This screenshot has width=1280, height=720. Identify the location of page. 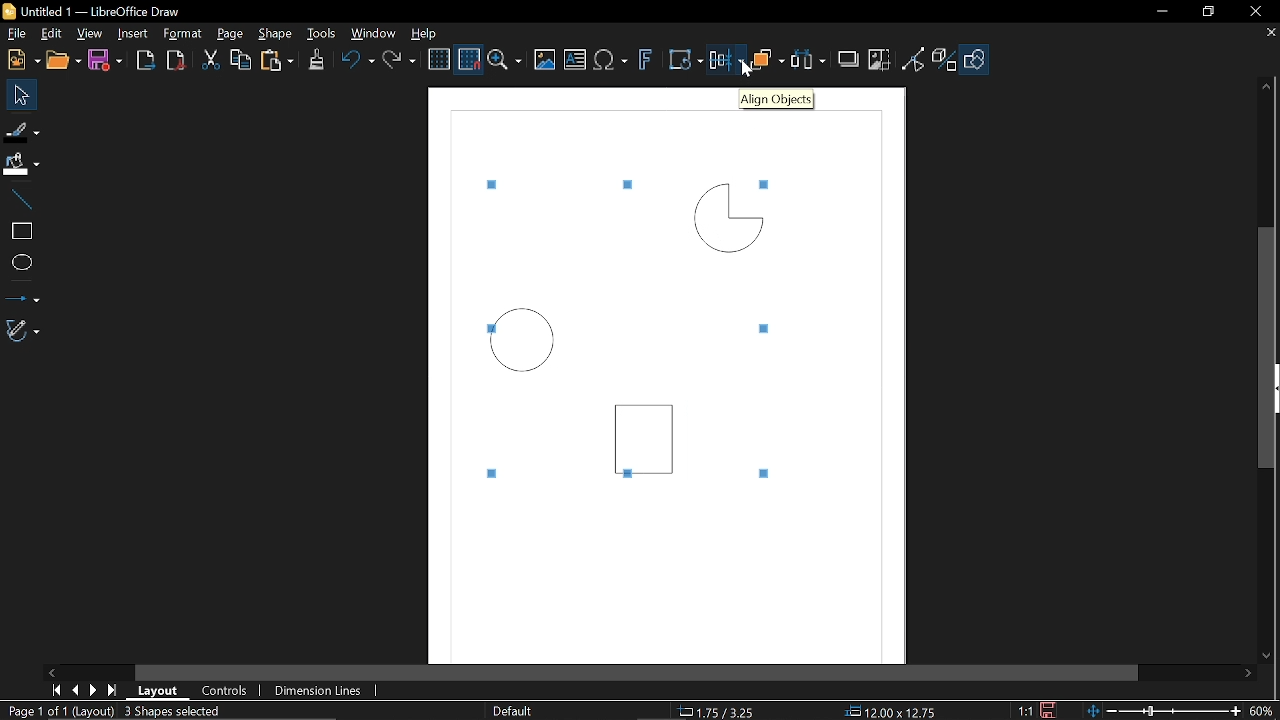
(234, 35).